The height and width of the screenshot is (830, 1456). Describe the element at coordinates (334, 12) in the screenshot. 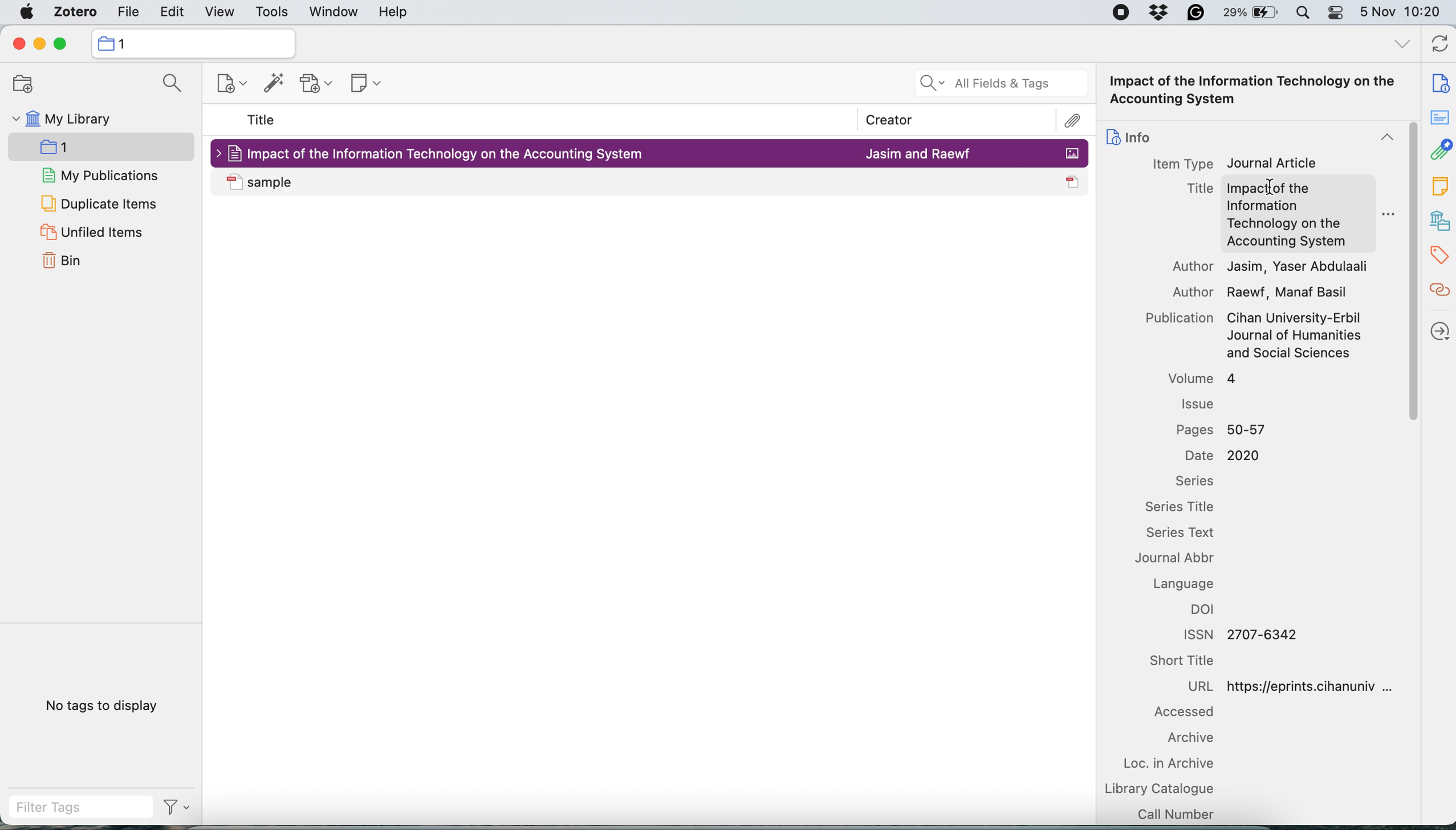

I see `window` at that location.